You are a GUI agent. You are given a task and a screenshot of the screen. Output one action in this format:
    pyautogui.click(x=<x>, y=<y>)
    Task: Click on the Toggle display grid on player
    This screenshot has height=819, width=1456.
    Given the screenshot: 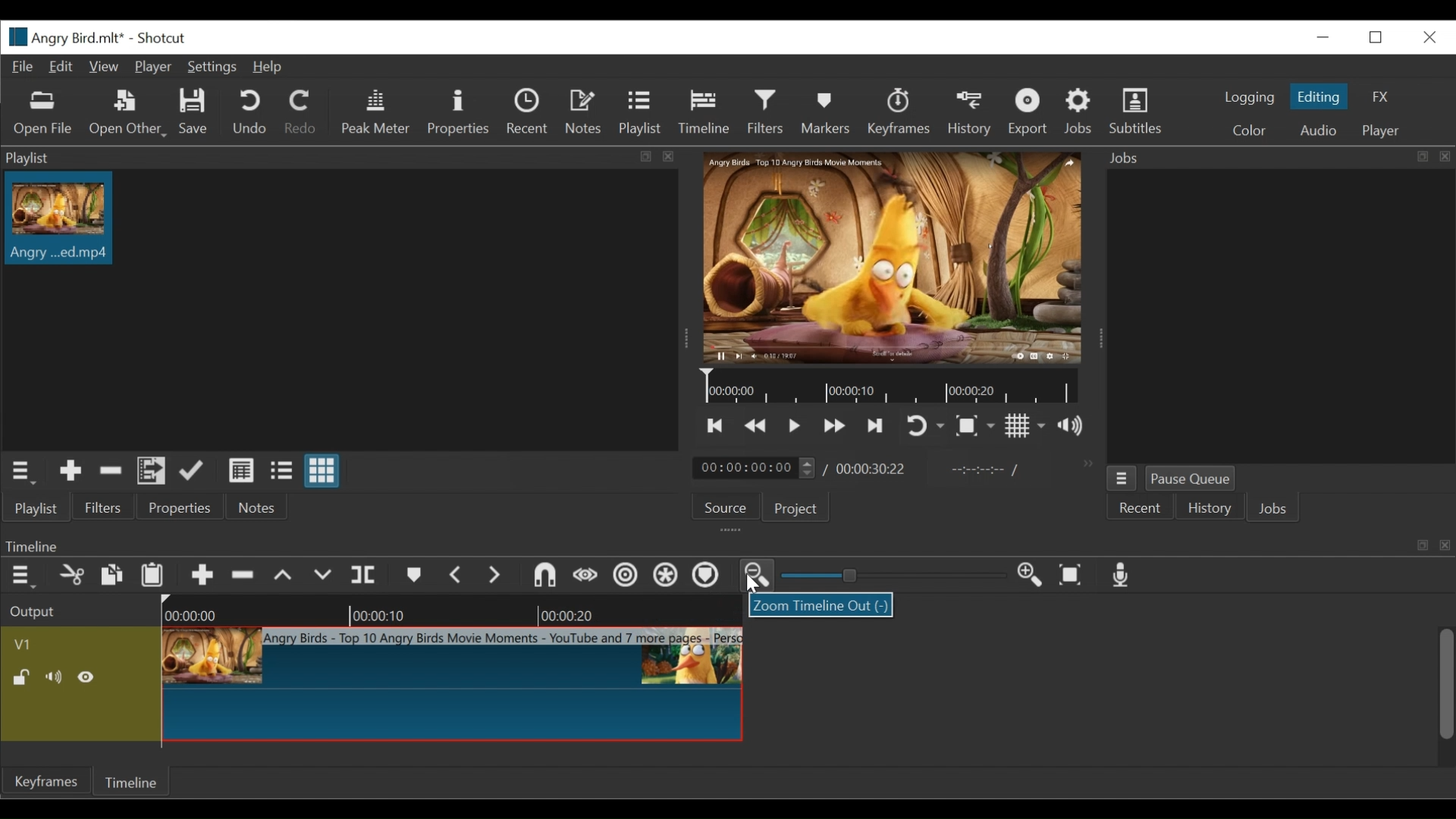 What is the action you would take?
    pyautogui.click(x=1026, y=425)
    